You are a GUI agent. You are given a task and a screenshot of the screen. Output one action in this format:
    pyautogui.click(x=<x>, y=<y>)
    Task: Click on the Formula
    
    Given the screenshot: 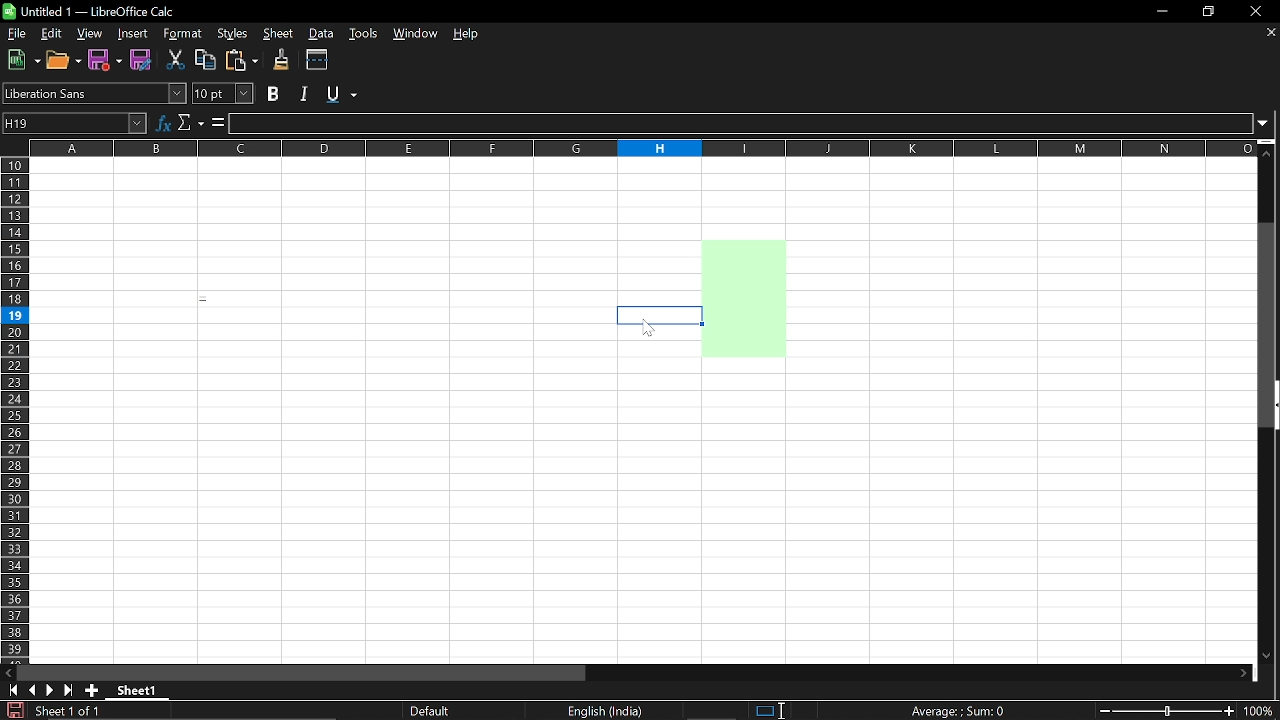 What is the action you would take?
    pyautogui.click(x=958, y=710)
    